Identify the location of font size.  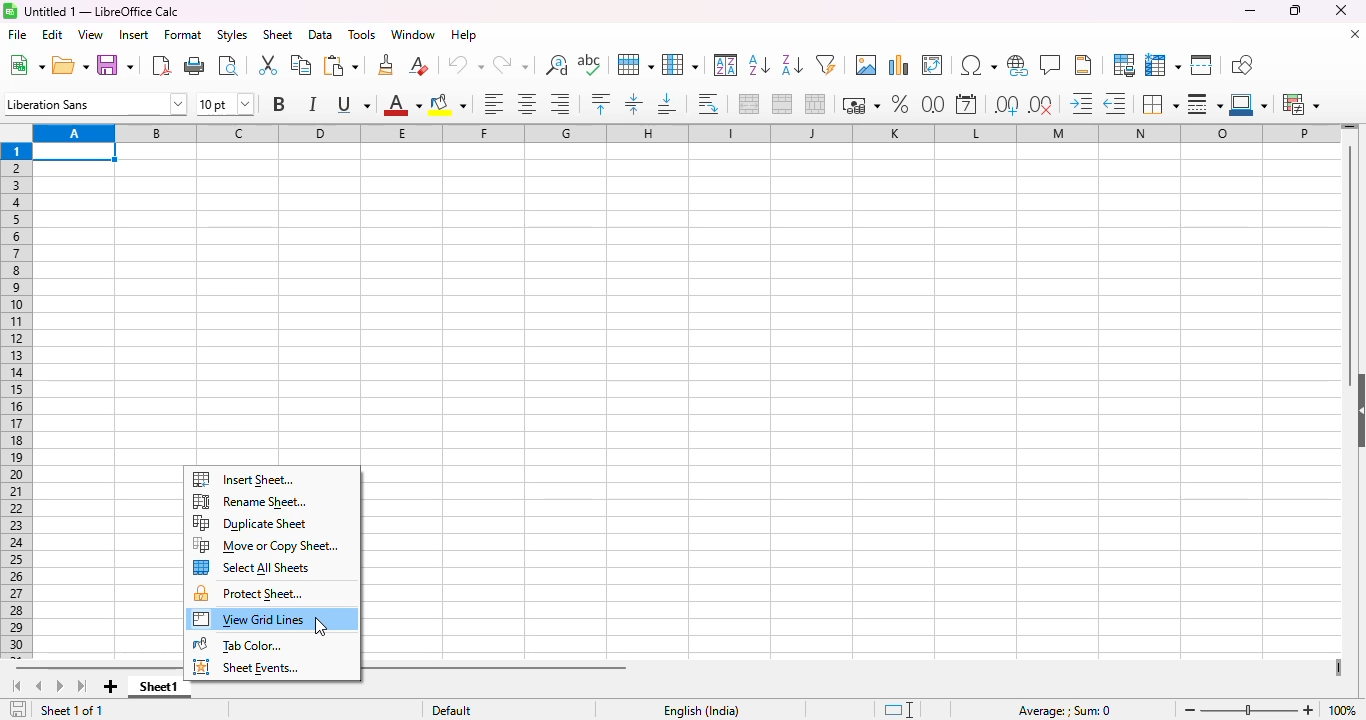
(225, 104).